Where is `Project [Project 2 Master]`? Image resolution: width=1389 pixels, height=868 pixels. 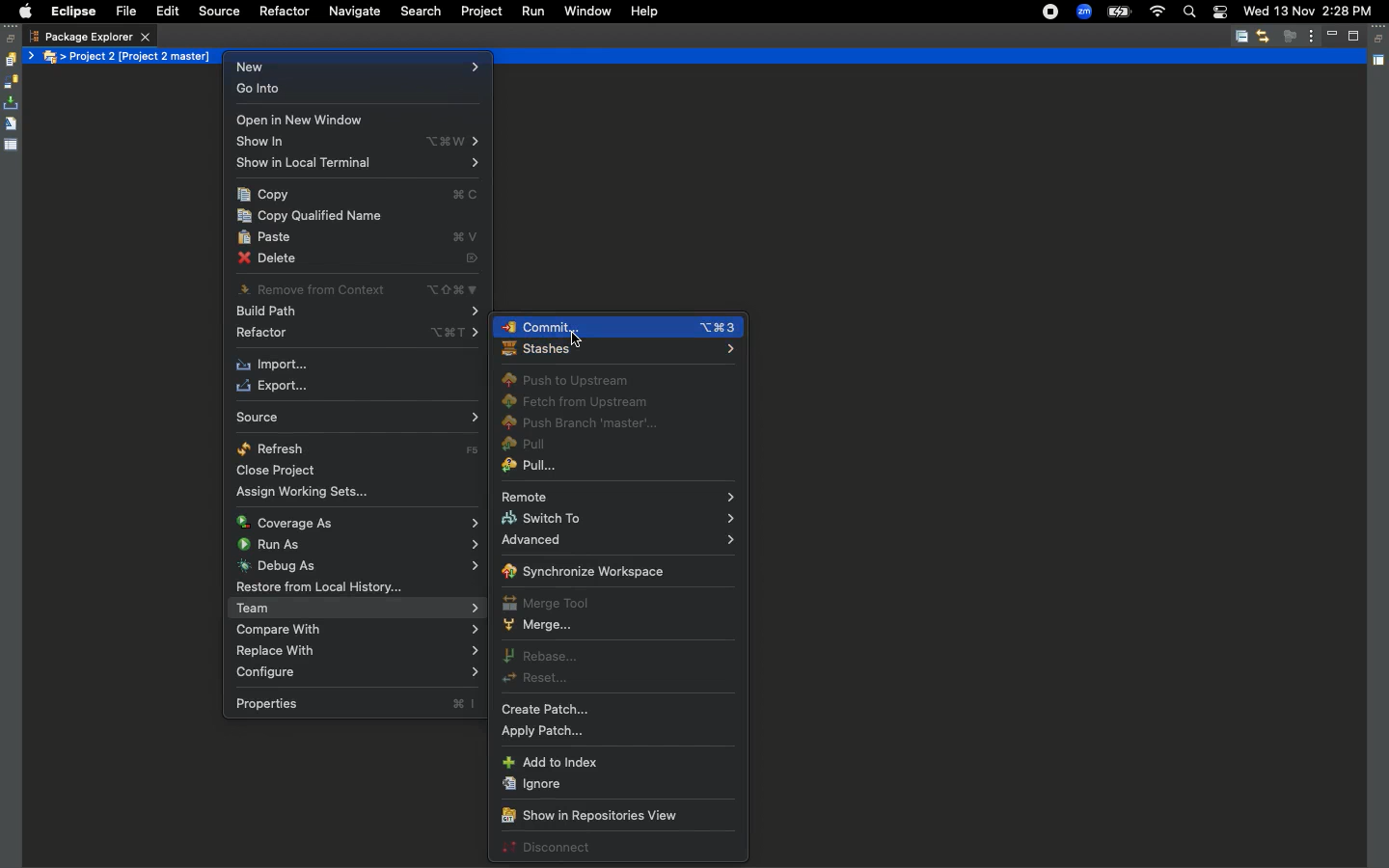 Project [Project 2 Master] is located at coordinates (143, 56).